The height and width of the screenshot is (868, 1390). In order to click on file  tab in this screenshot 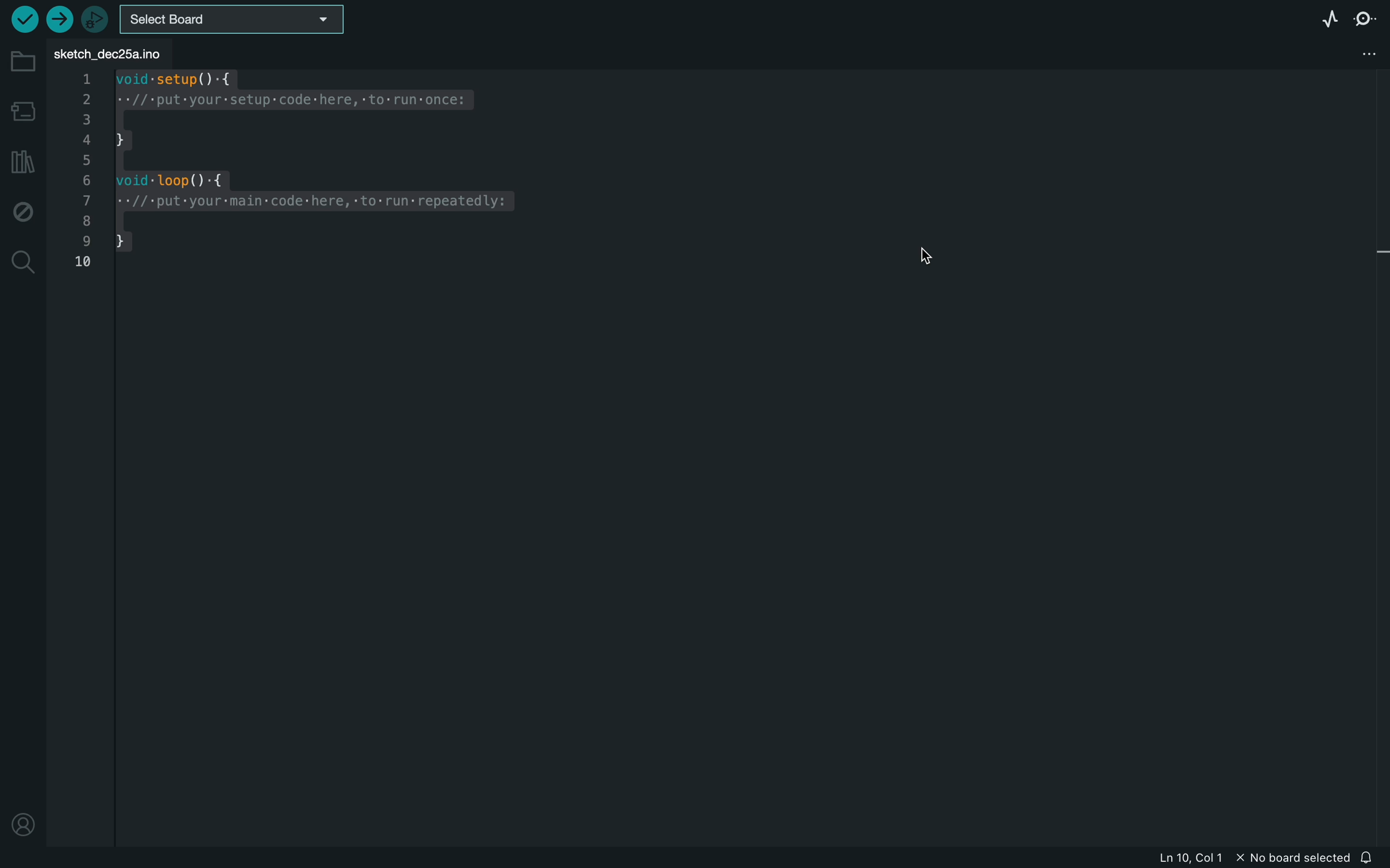, I will do `click(115, 53)`.